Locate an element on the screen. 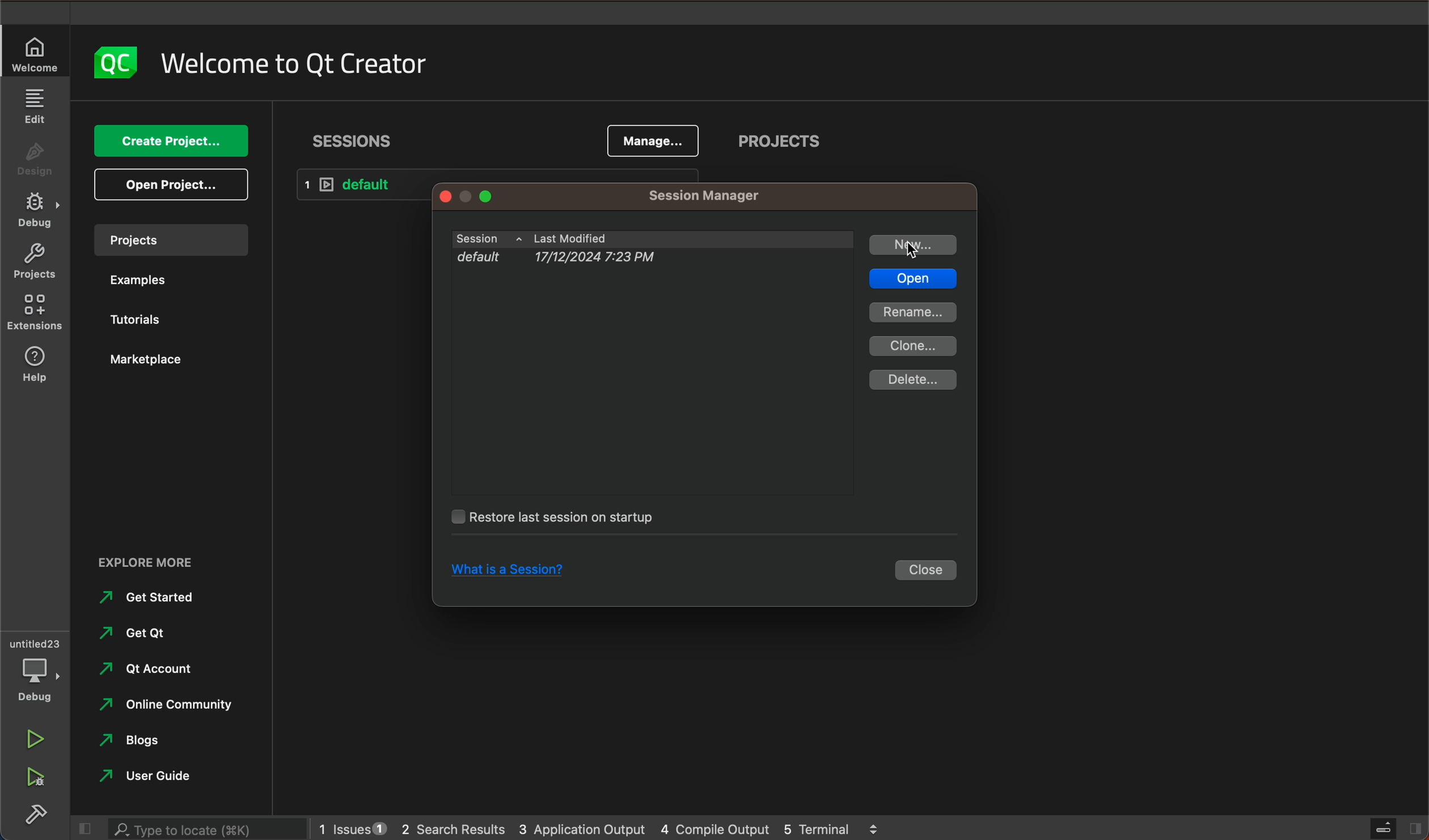 This screenshot has height=840, width=1429. untitles is located at coordinates (38, 642).